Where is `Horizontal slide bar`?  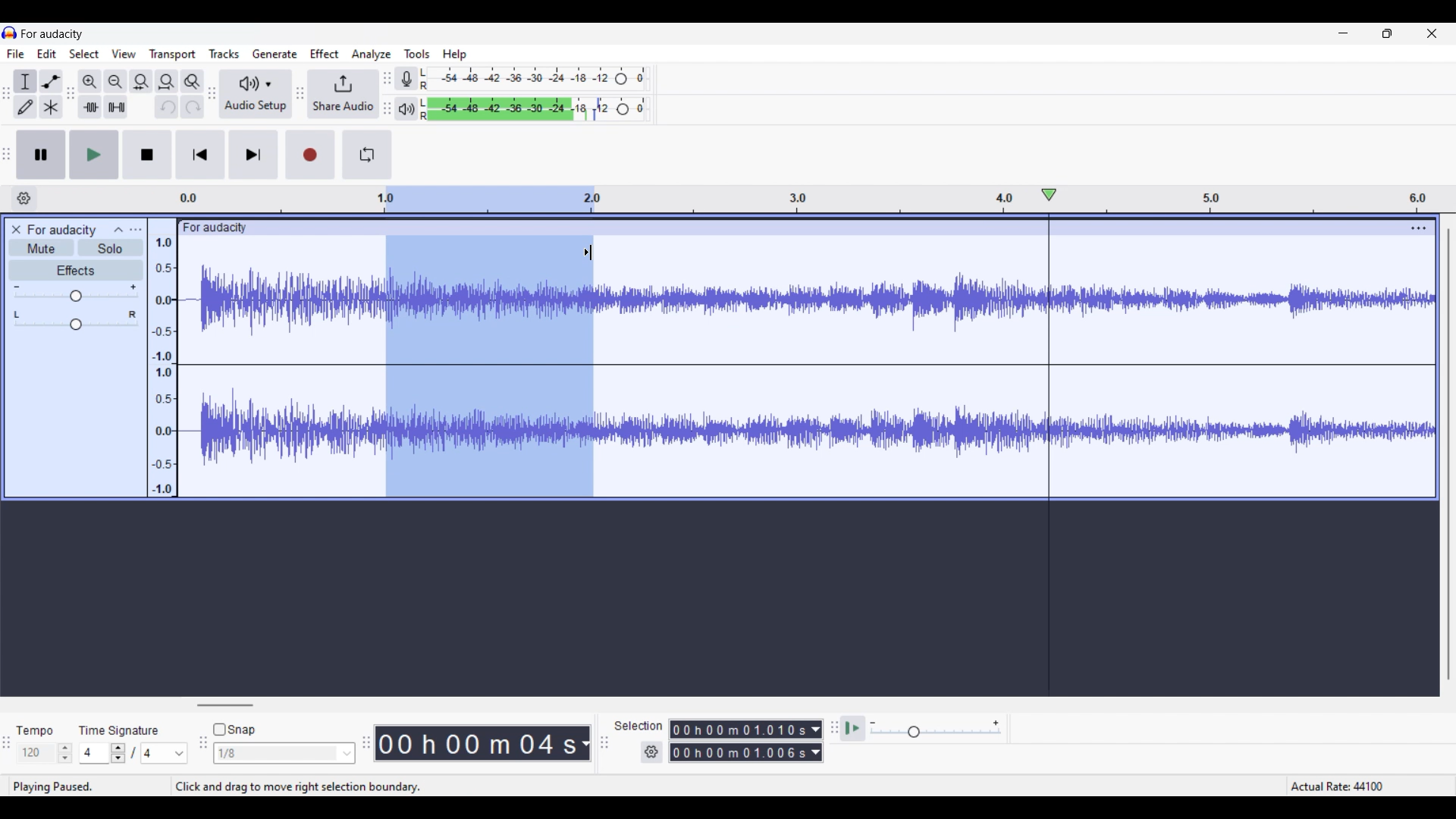
Horizontal slide bar is located at coordinates (224, 705).